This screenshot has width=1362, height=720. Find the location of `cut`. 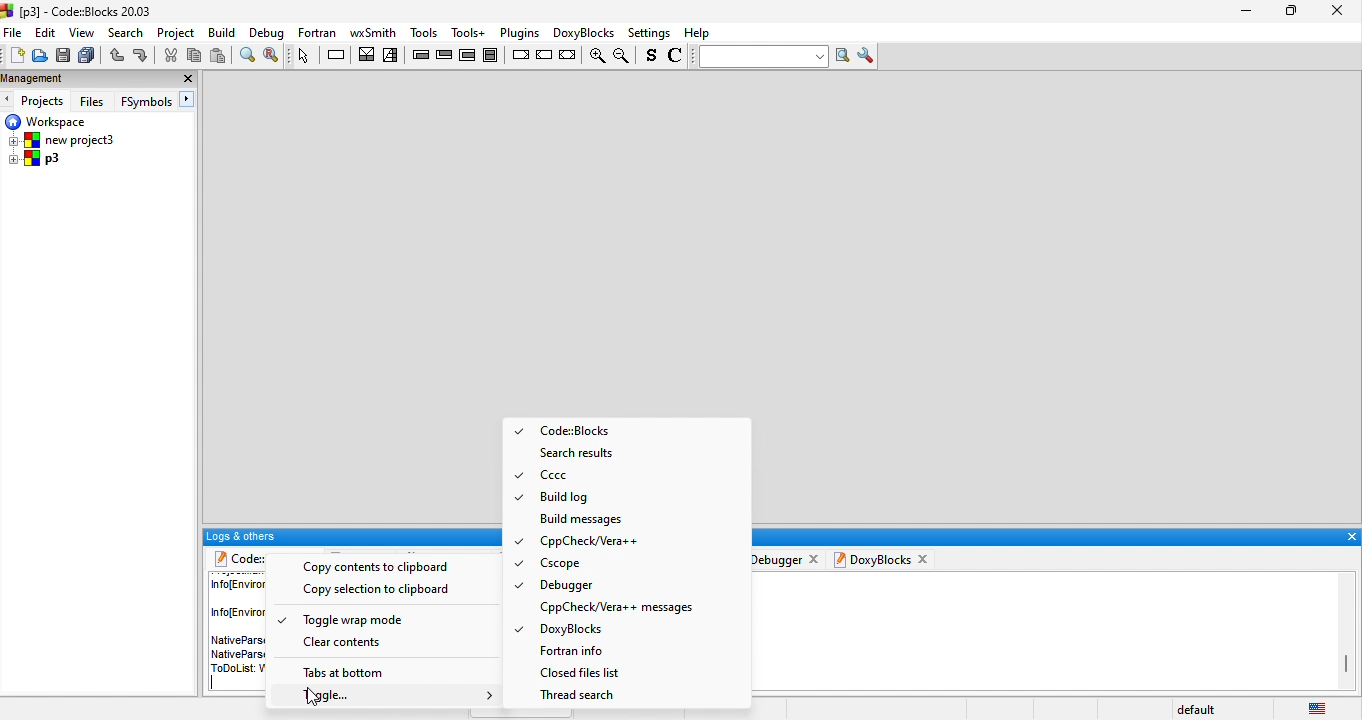

cut is located at coordinates (169, 56).